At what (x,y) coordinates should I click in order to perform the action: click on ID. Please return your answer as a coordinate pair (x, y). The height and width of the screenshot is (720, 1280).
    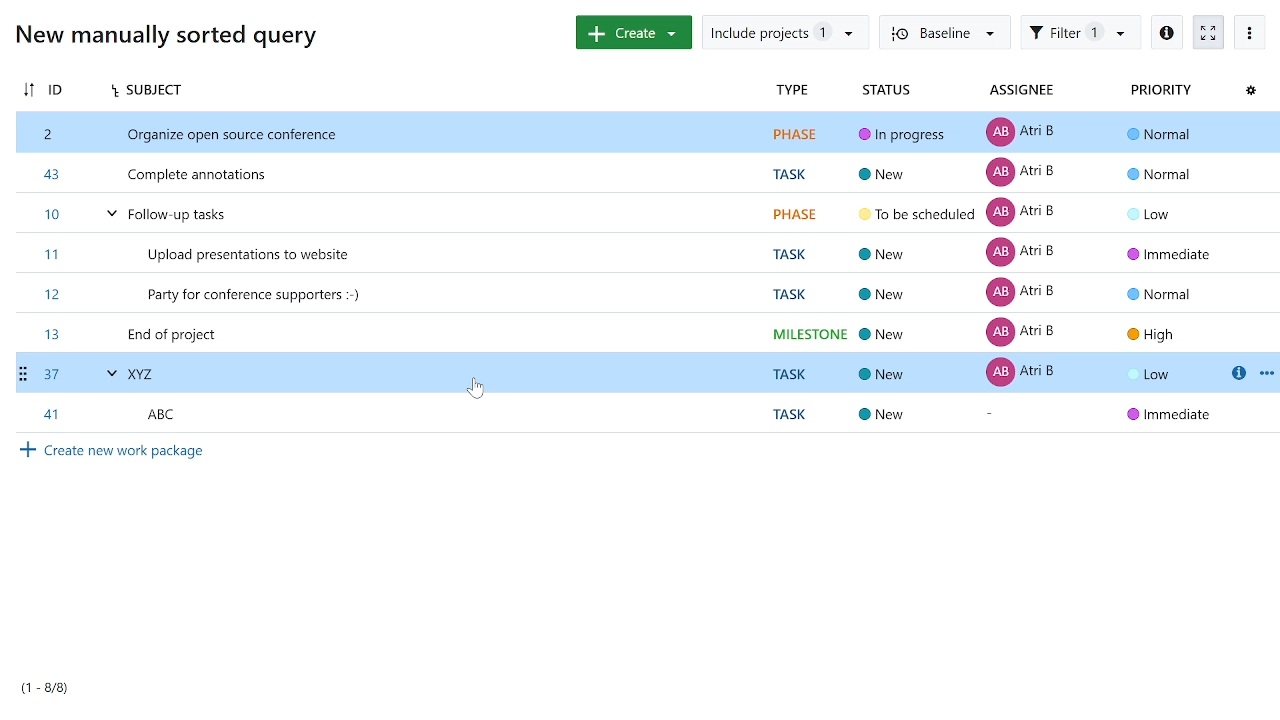
    Looking at the image, I should click on (58, 88).